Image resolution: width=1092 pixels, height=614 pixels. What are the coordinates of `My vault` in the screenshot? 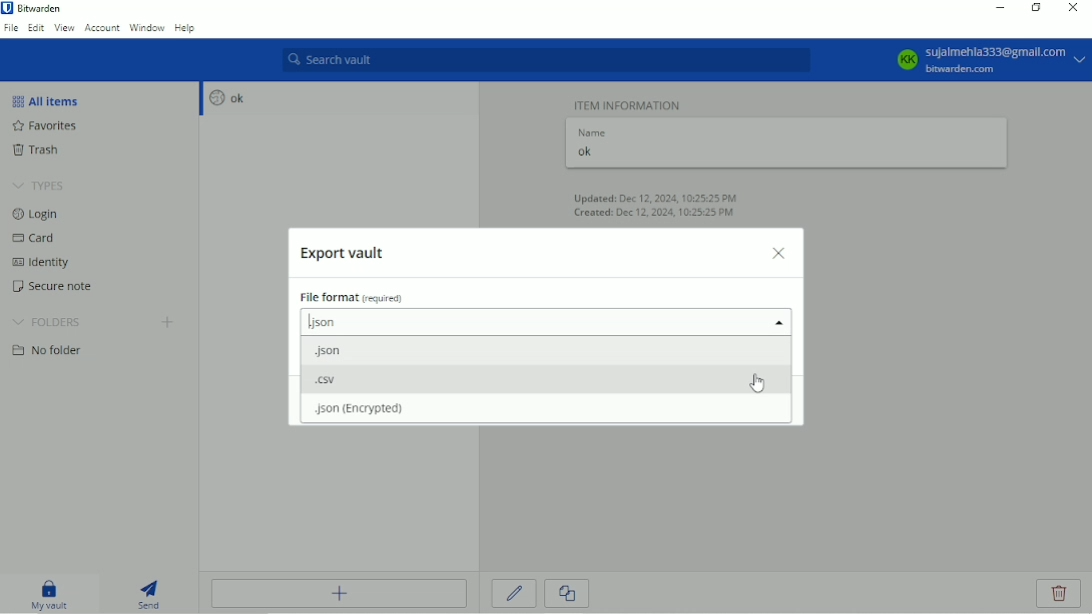 It's located at (49, 593).